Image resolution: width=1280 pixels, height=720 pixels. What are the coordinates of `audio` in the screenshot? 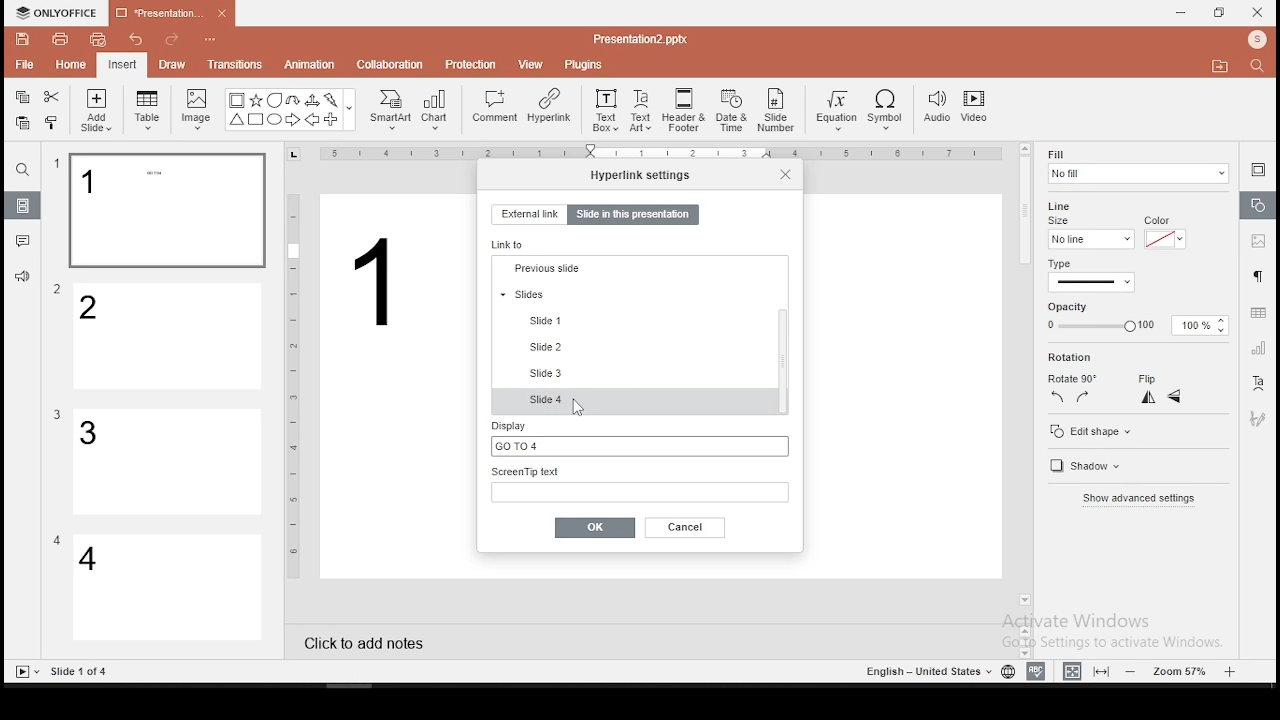 It's located at (937, 108).